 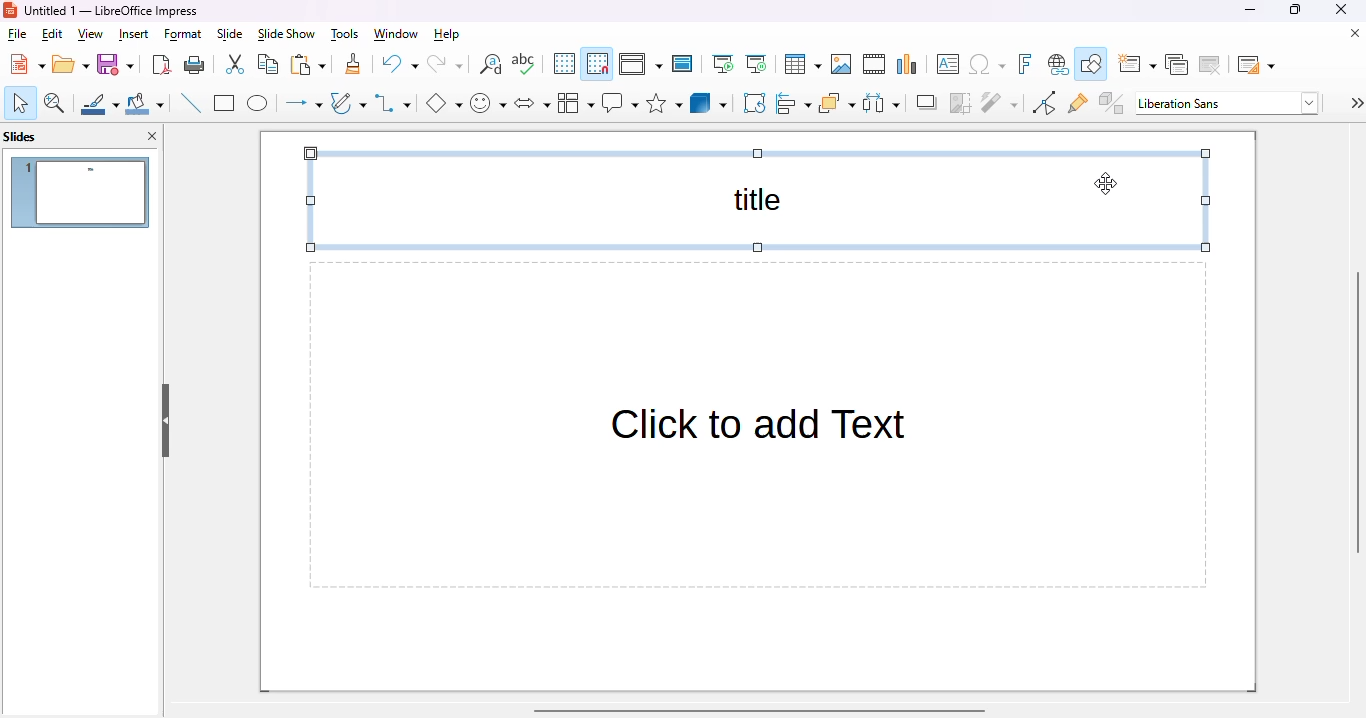 What do you see at coordinates (183, 35) in the screenshot?
I see `format` at bounding box center [183, 35].